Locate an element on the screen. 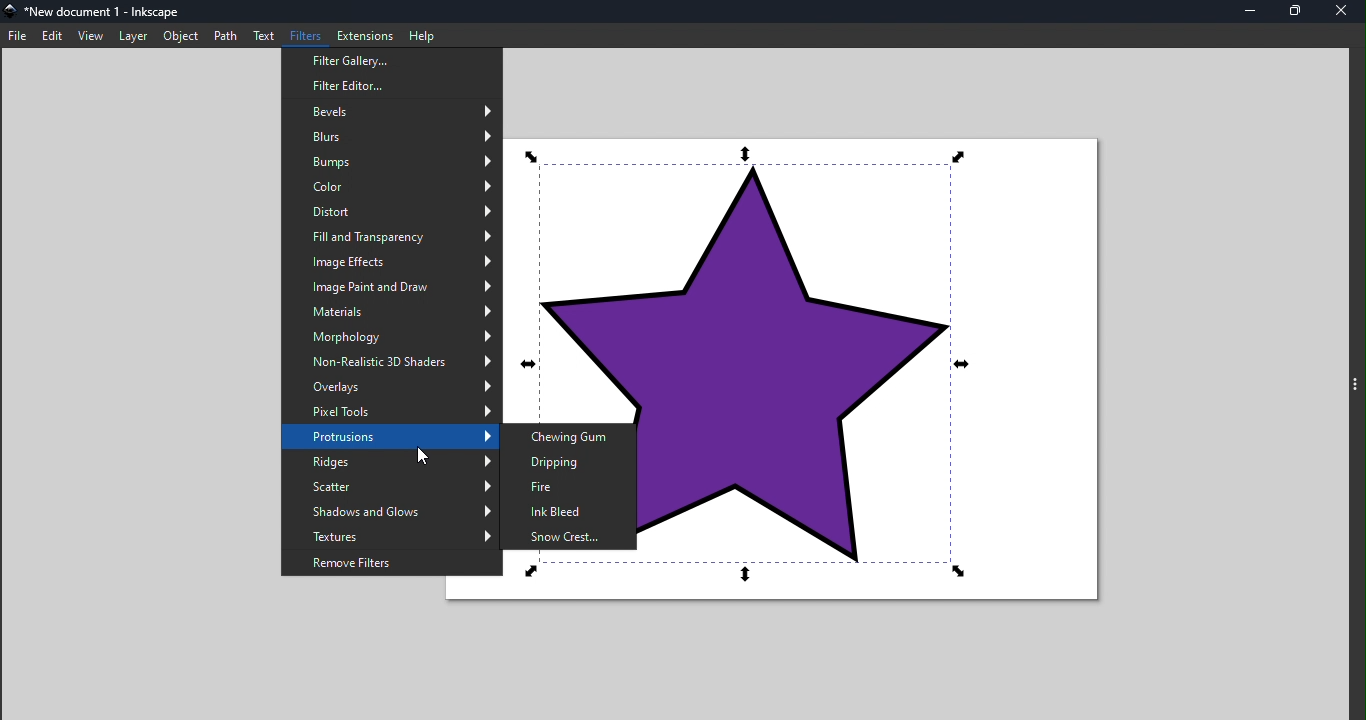 The height and width of the screenshot is (720, 1366). Filter editor is located at coordinates (390, 86).